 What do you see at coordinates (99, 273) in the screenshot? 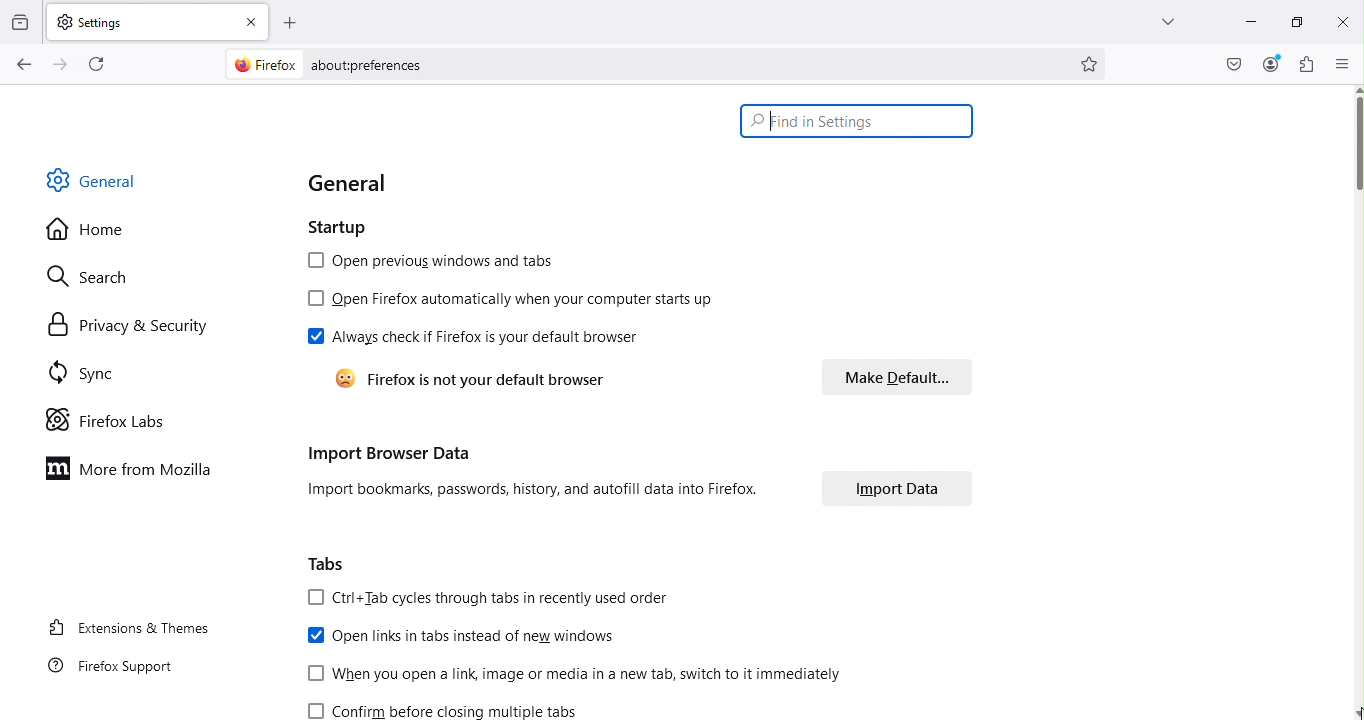
I see `Search` at bounding box center [99, 273].